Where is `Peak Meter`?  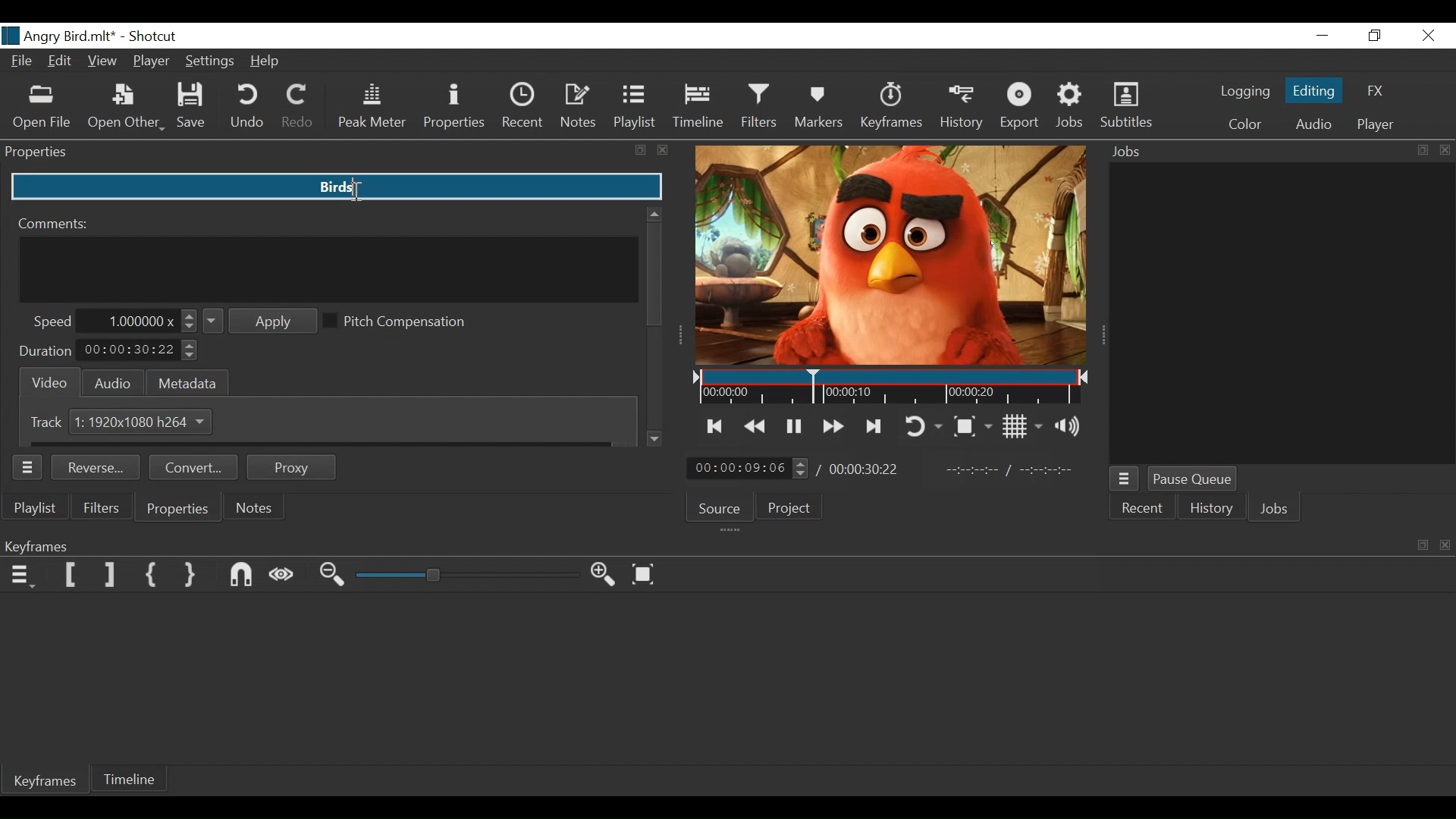 Peak Meter is located at coordinates (369, 108).